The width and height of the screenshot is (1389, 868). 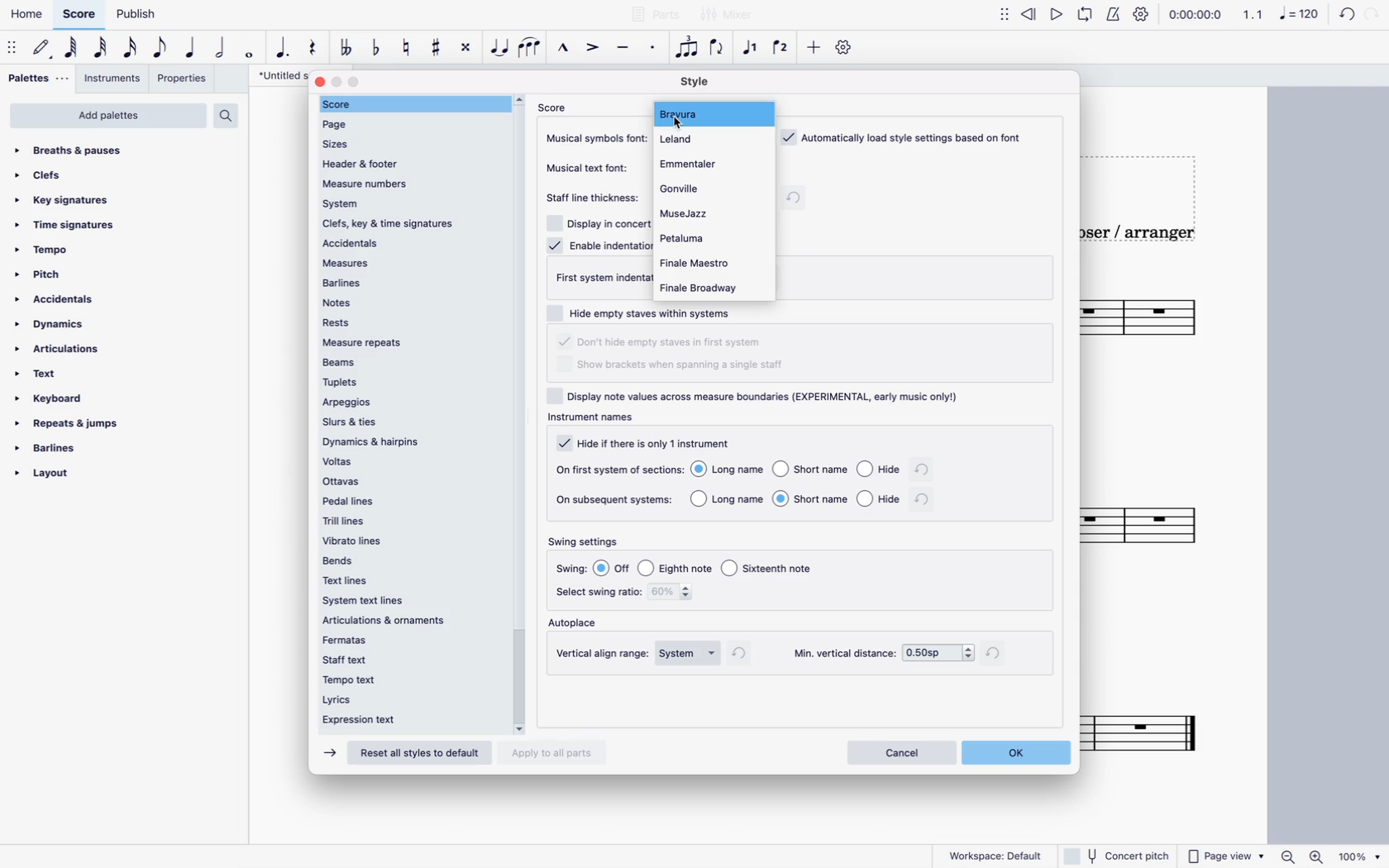 What do you see at coordinates (408, 204) in the screenshot?
I see `system` at bounding box center [408, 204].